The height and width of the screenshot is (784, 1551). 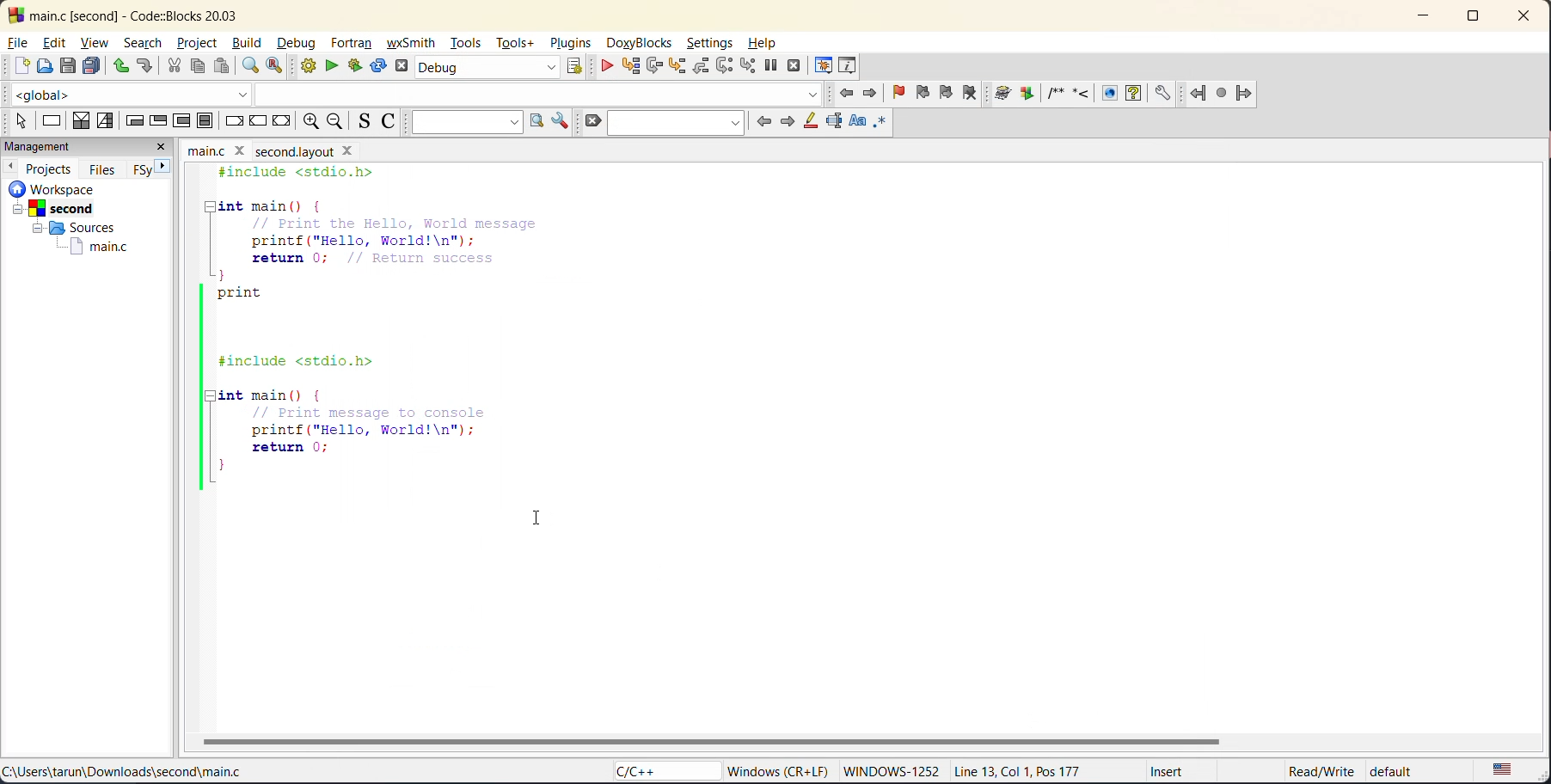 What do you see at coordinates (603, 65) in the screenshot?
I see `debug` at bounding box center [603, 65].